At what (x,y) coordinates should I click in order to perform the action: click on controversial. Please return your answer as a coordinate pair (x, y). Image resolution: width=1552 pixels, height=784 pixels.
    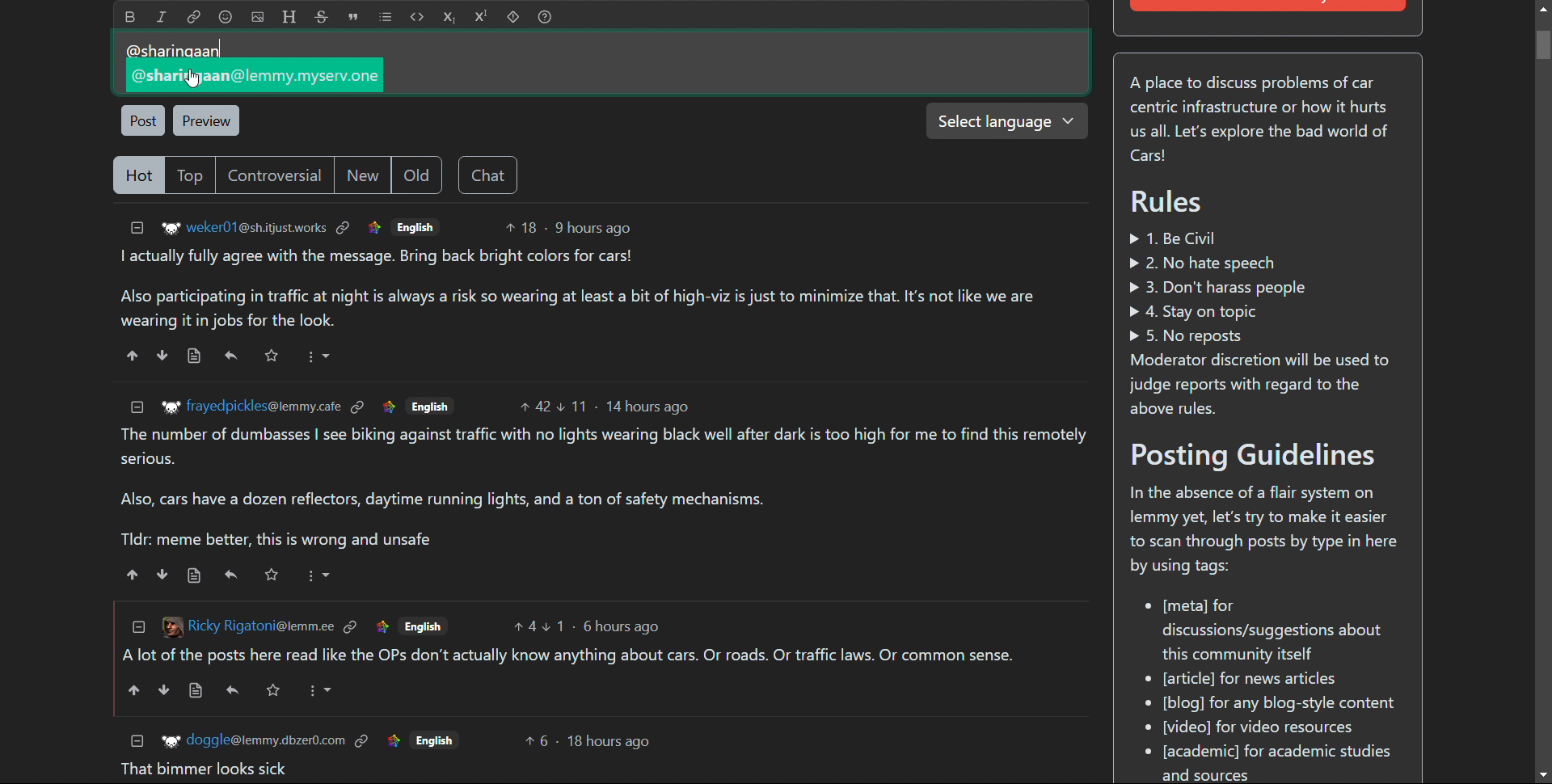
    Looking at the image, I should click on (273, 175).